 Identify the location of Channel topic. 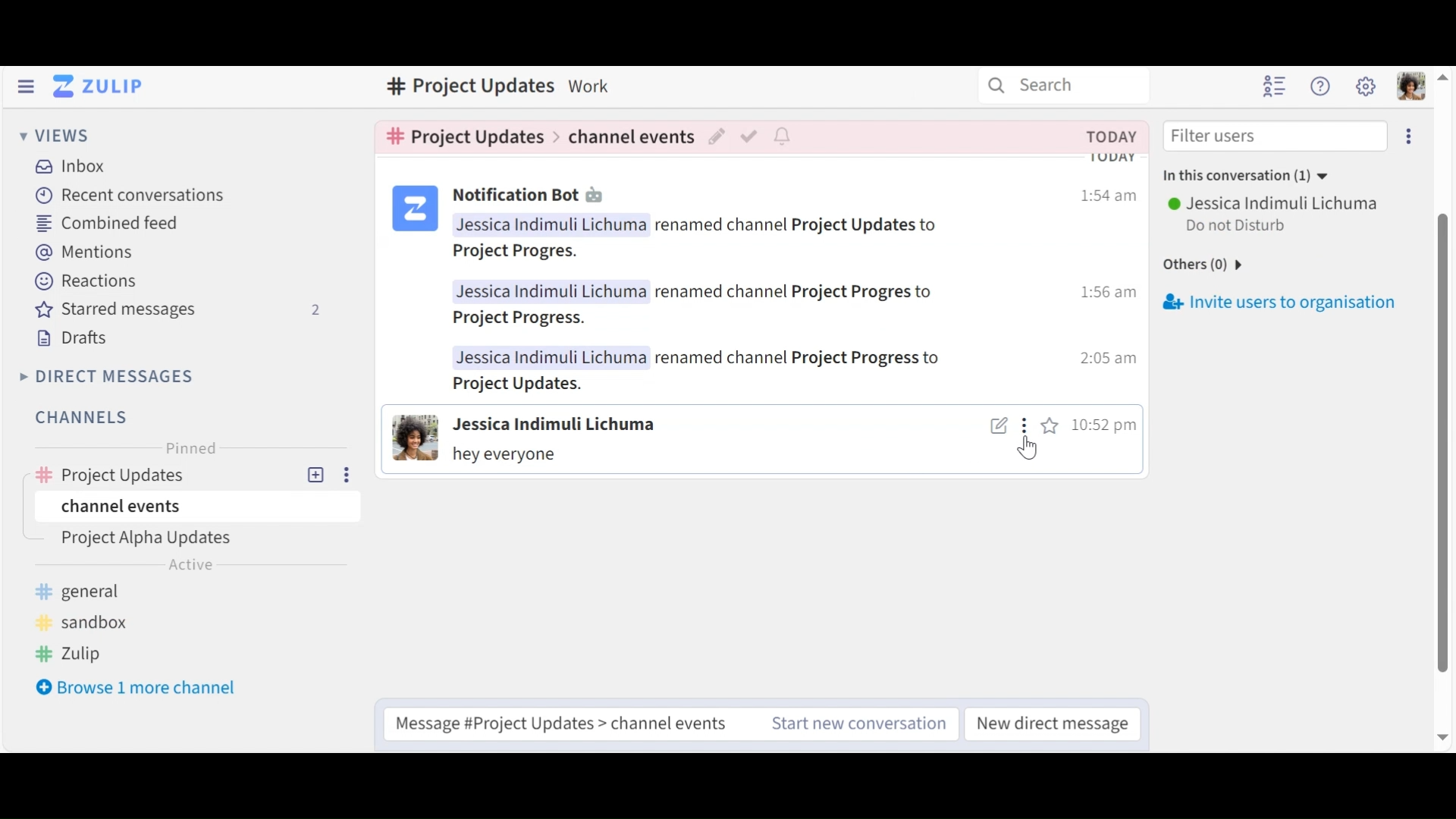
(466, 136).